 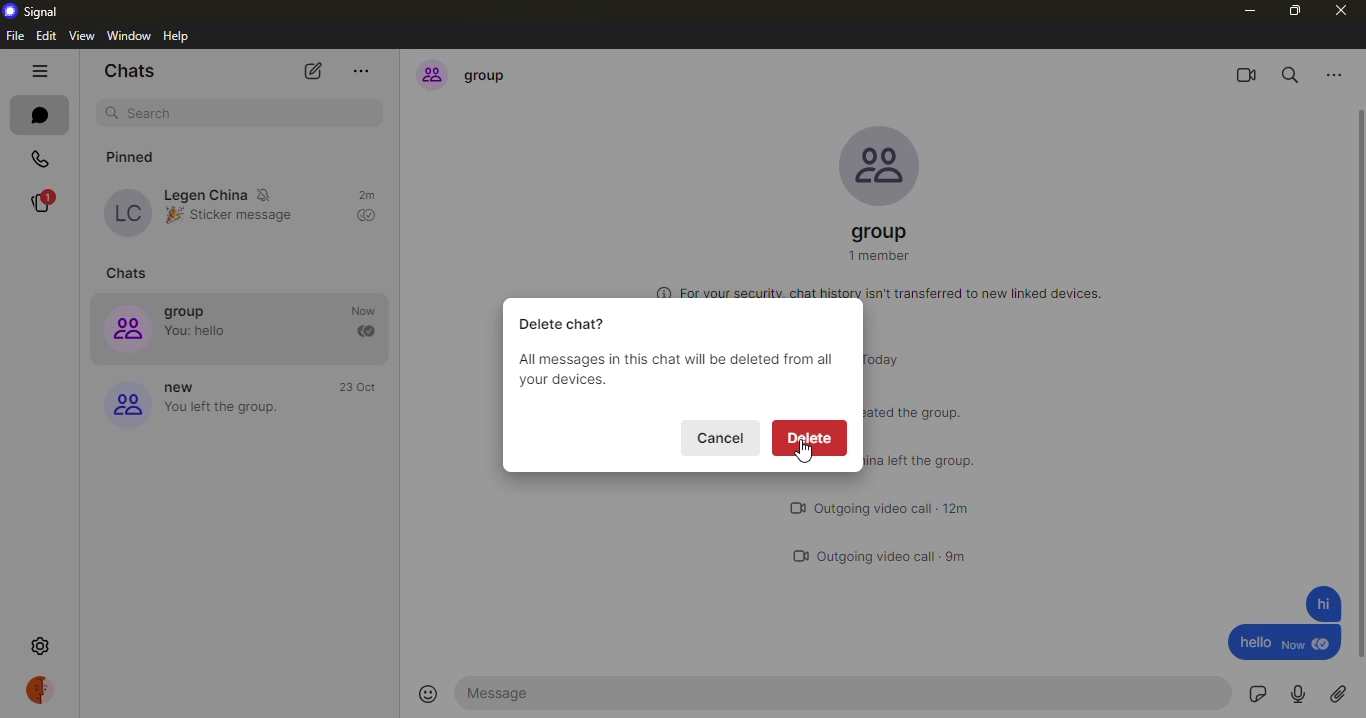 What do you see at coordinates (512, 694) in the screenshot?
I see `message` at bounding box center [512, 694].